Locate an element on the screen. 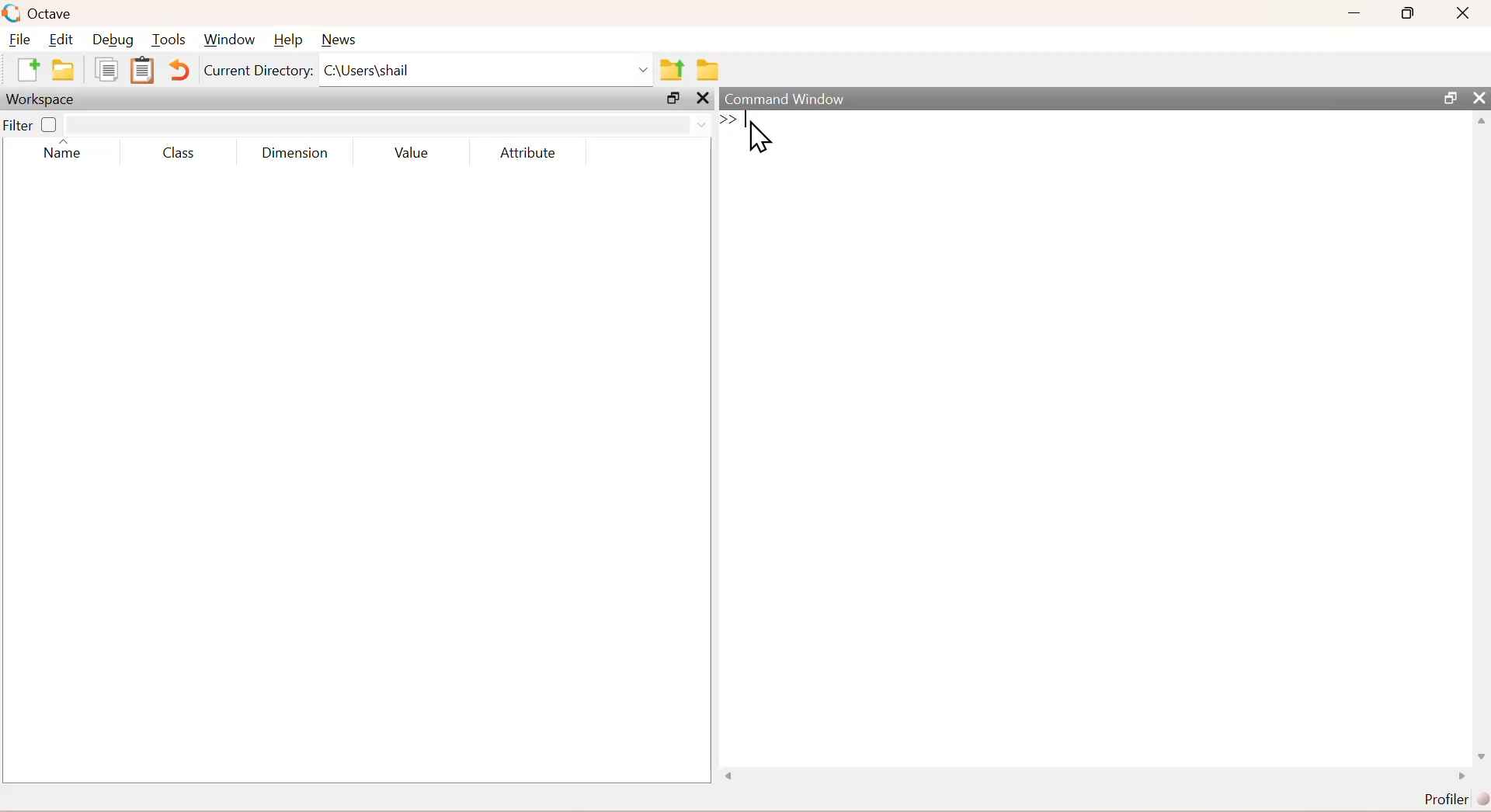 This screenshot has width=1491, height=812. Debug is located at coordinates (116, 39).